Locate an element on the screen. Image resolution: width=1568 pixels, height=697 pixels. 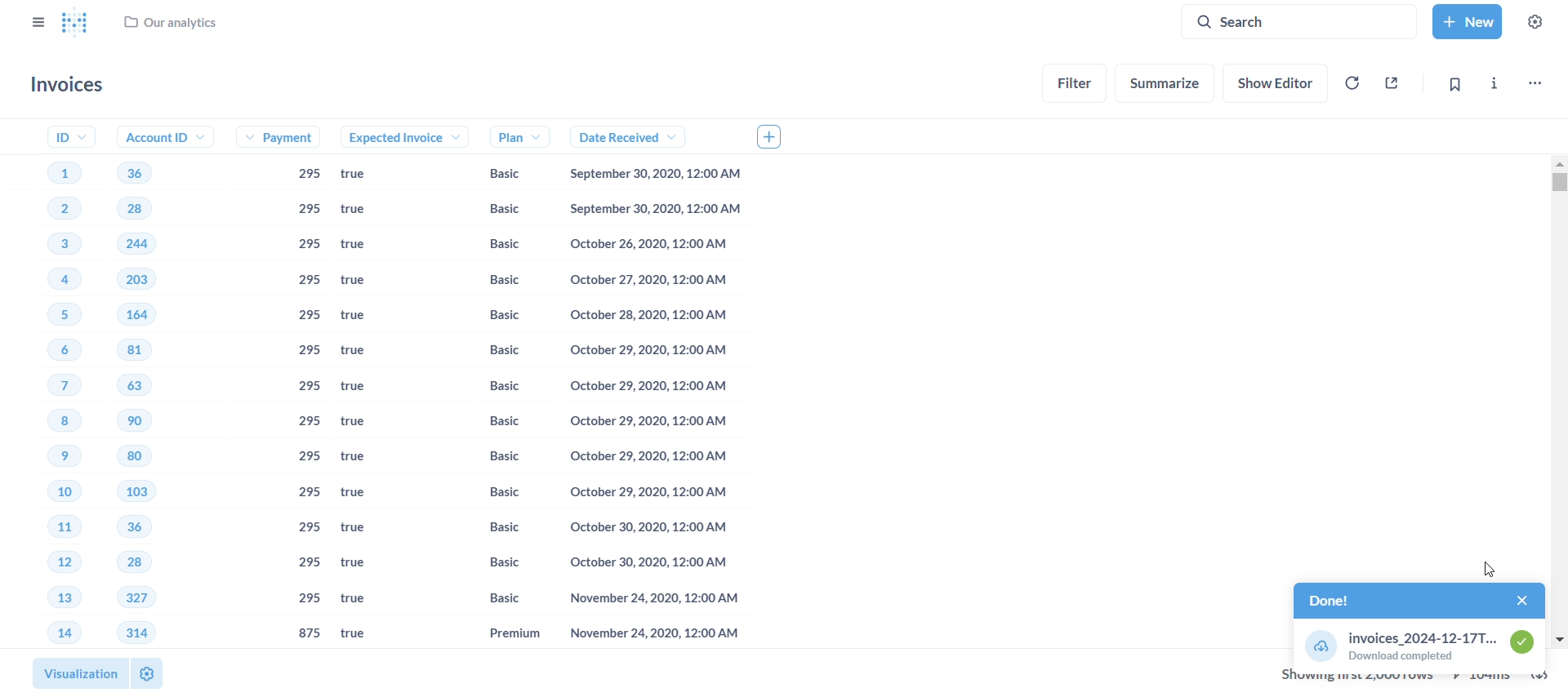
81 is located at coordinates (140, 350).